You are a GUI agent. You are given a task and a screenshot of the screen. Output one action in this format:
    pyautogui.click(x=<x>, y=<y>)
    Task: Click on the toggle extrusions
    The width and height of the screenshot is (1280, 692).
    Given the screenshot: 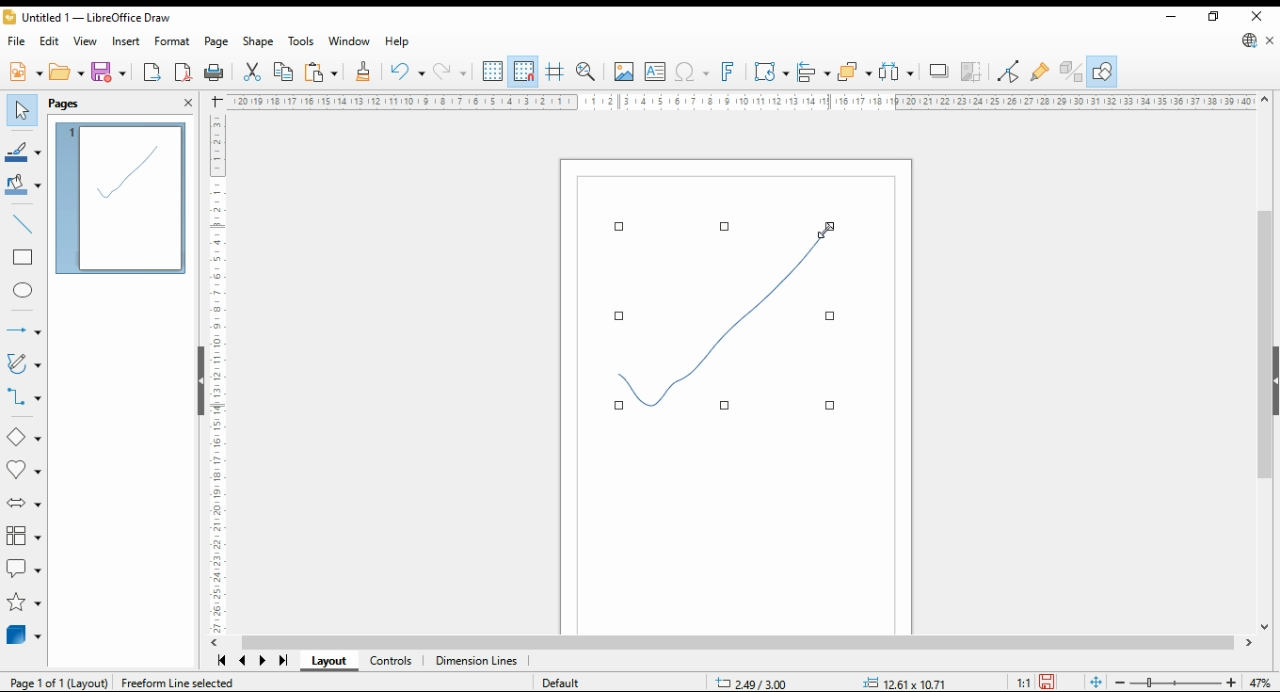 What is the action you would take?
    pyautogui.click(x=1071, y=72)
    